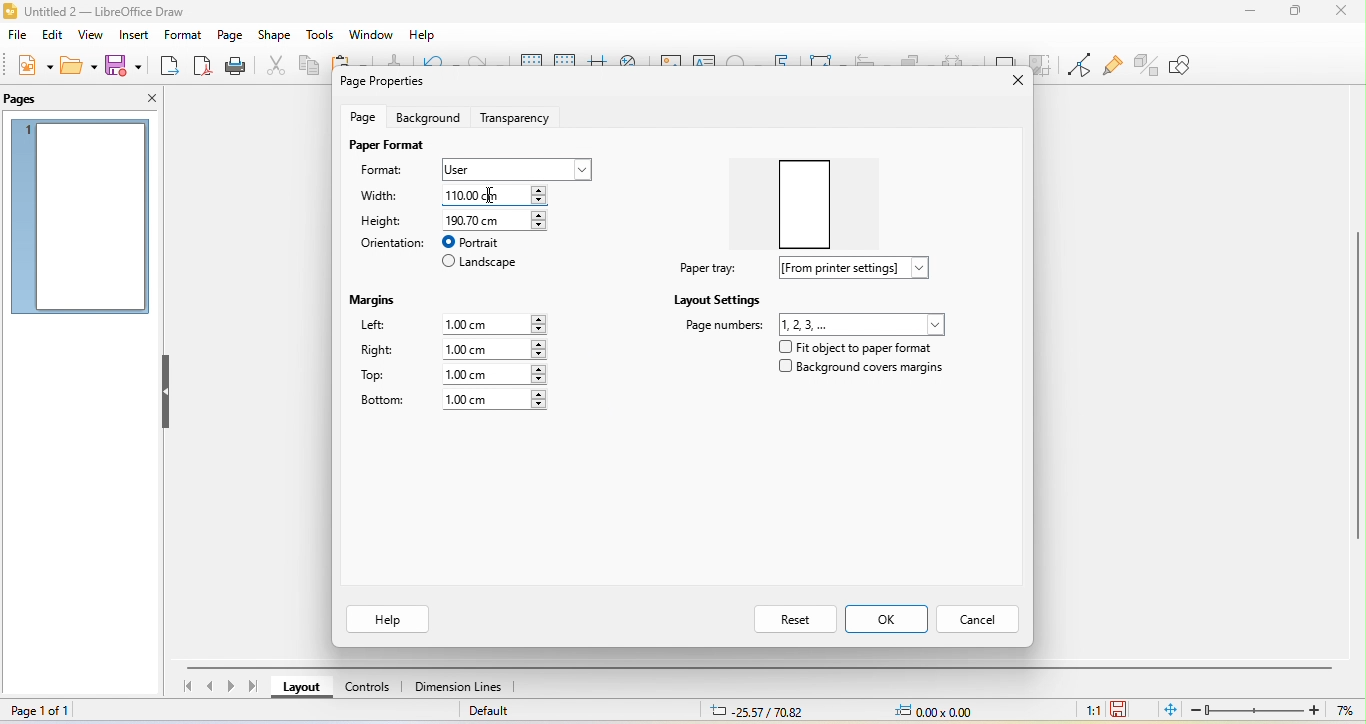  Describe the element at coordinates (1251, 10) in the screenshot. I see `minimize` at that location.